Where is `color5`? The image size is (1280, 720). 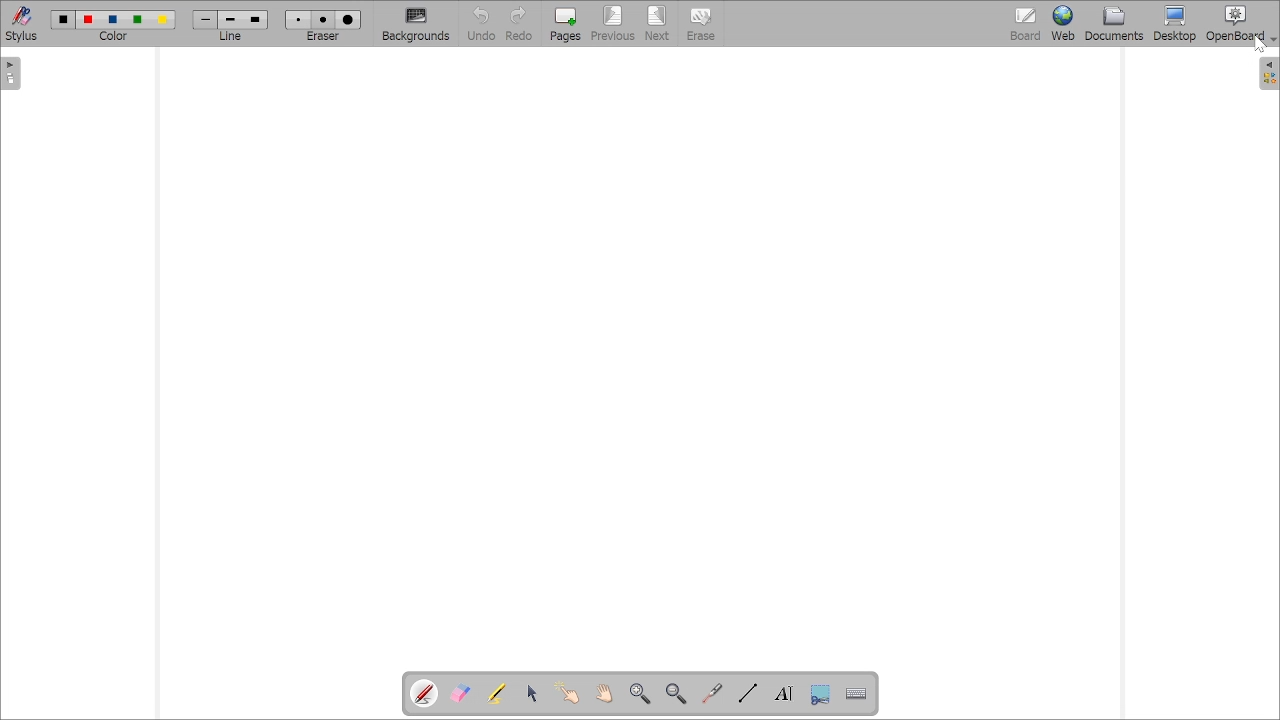 color5 is located at coordinates (163, 20).